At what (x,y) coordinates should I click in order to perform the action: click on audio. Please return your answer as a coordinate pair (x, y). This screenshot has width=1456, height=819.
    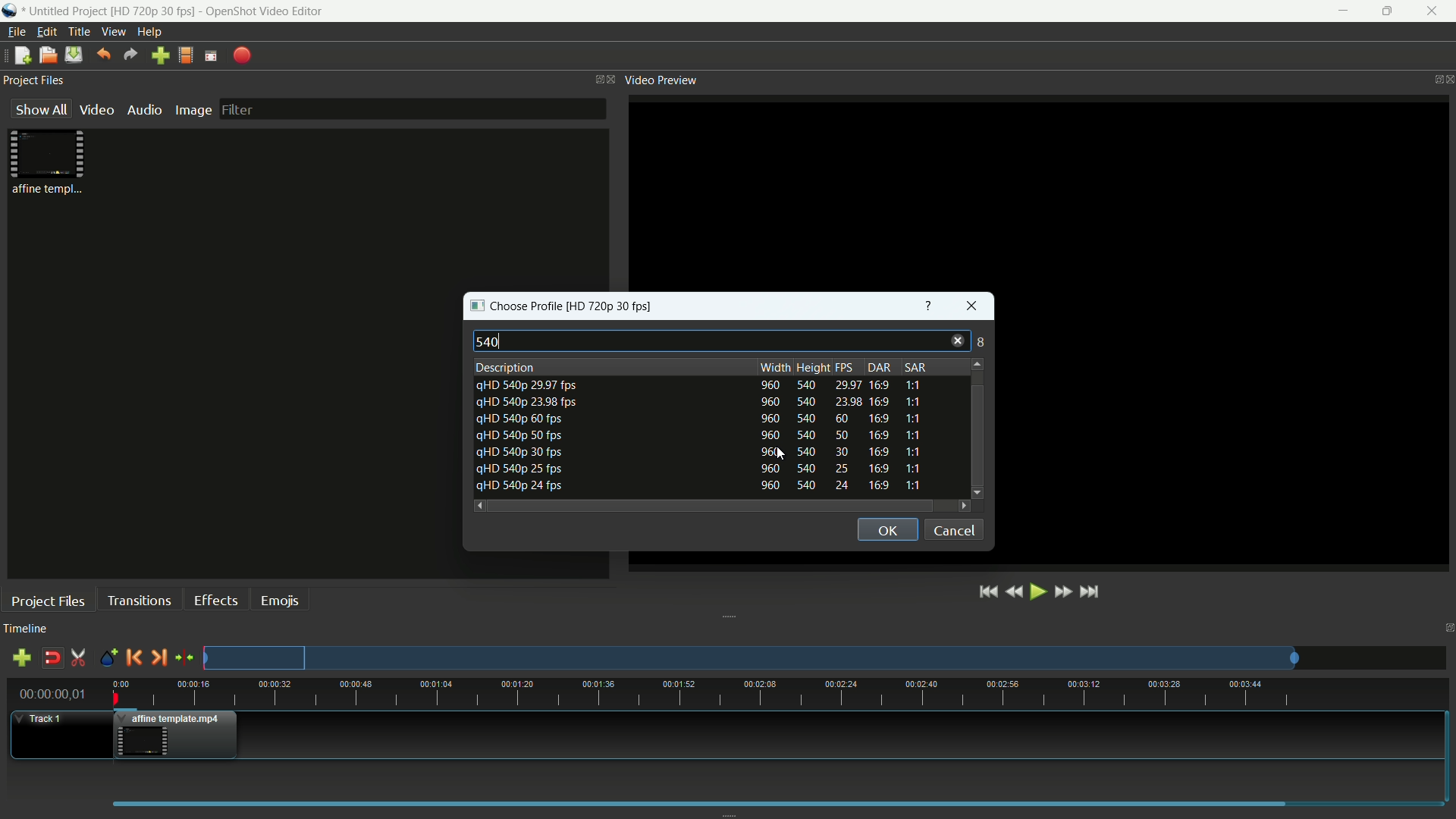
    Looking at the image, I should click on (145, 109).